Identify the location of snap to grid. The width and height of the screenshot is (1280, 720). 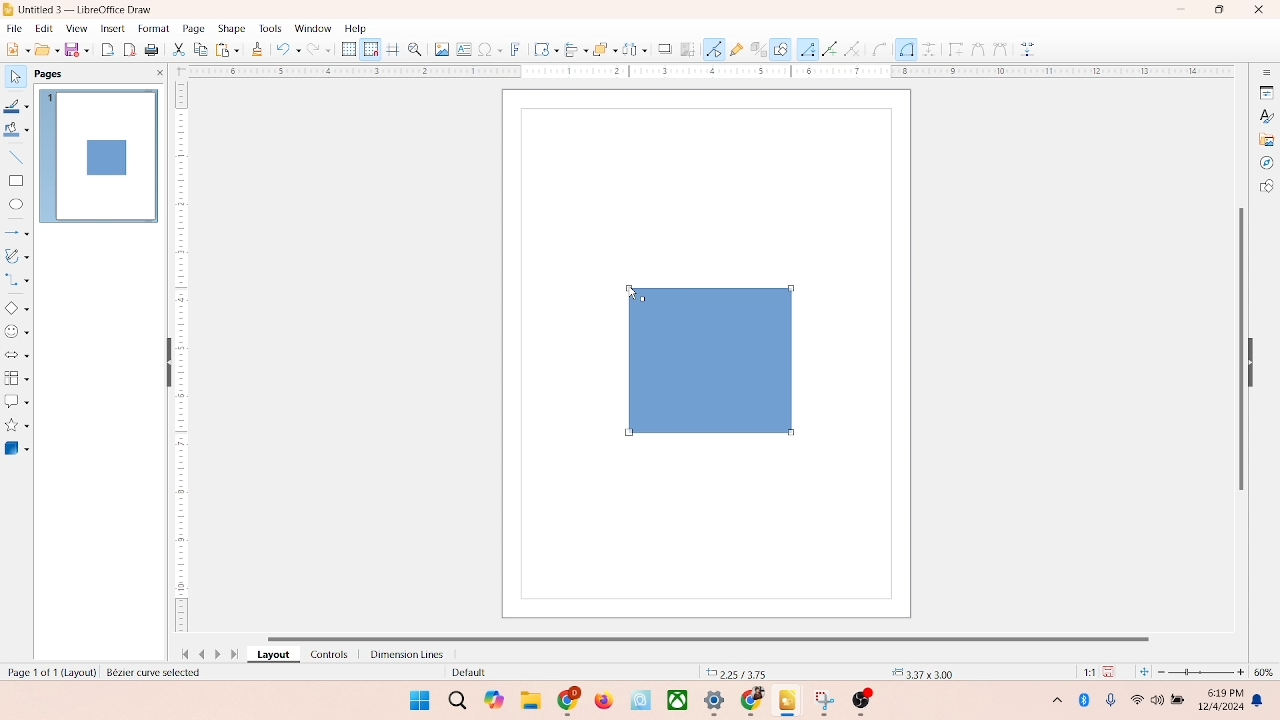
(368, 49).